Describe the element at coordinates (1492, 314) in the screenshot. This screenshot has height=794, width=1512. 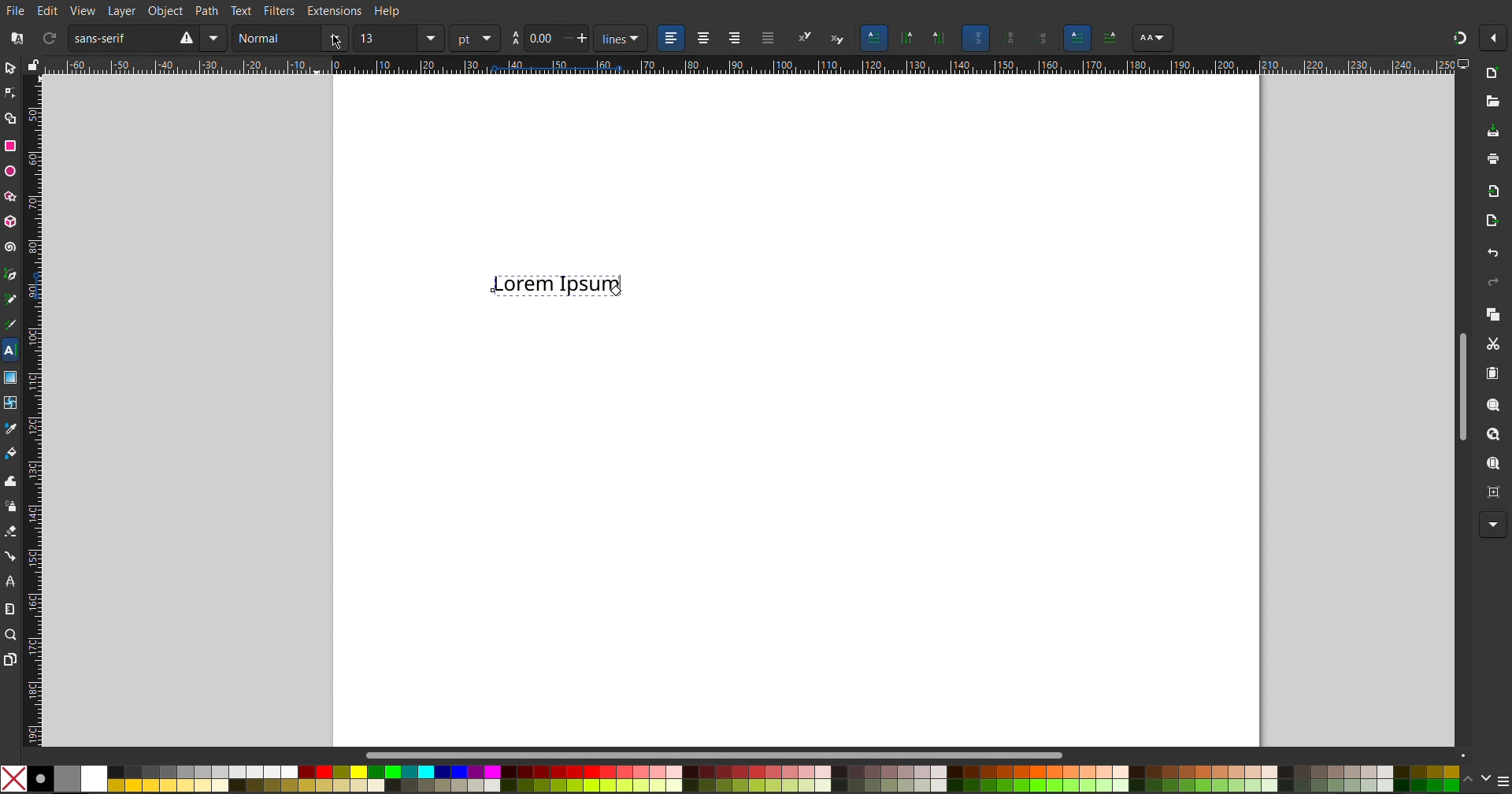
I see `Copy` at that location.